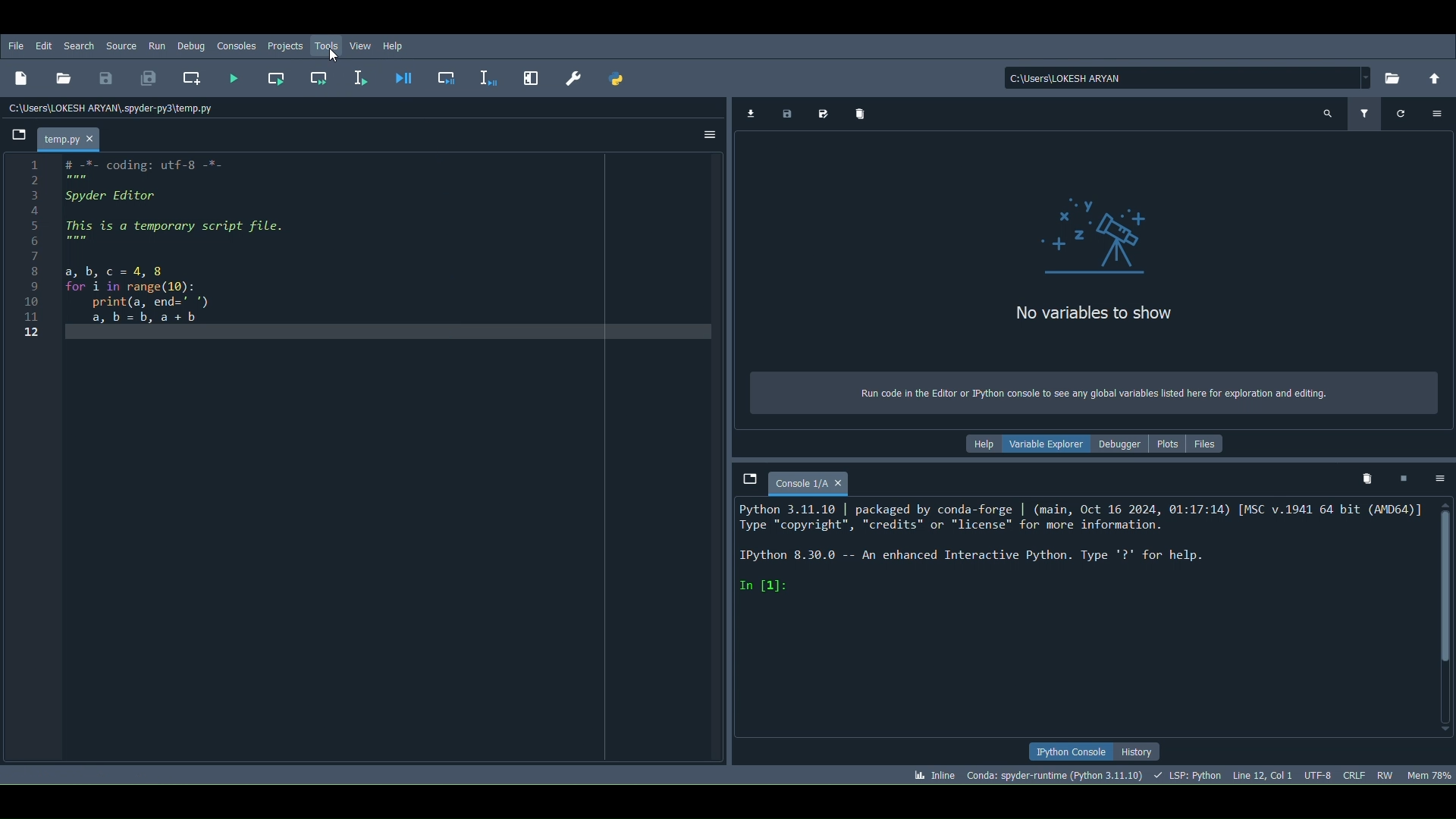  Describe the element at coordinates (1434, 77) in the screenshot. I see `Change to parent directory` at that location.